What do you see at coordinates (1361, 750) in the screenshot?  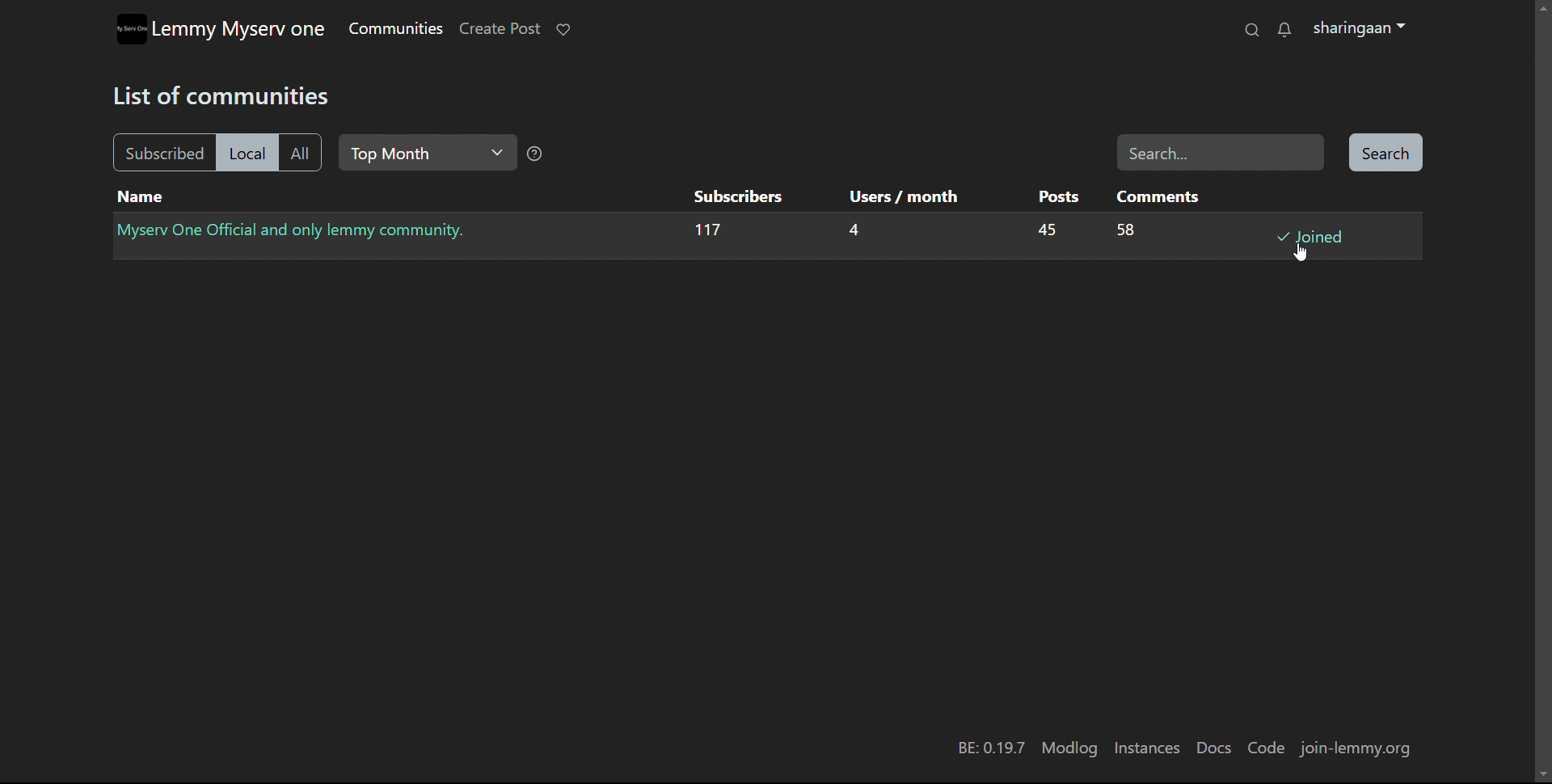 I see `join-lemmy.org` at bounding box center [1361, 750].